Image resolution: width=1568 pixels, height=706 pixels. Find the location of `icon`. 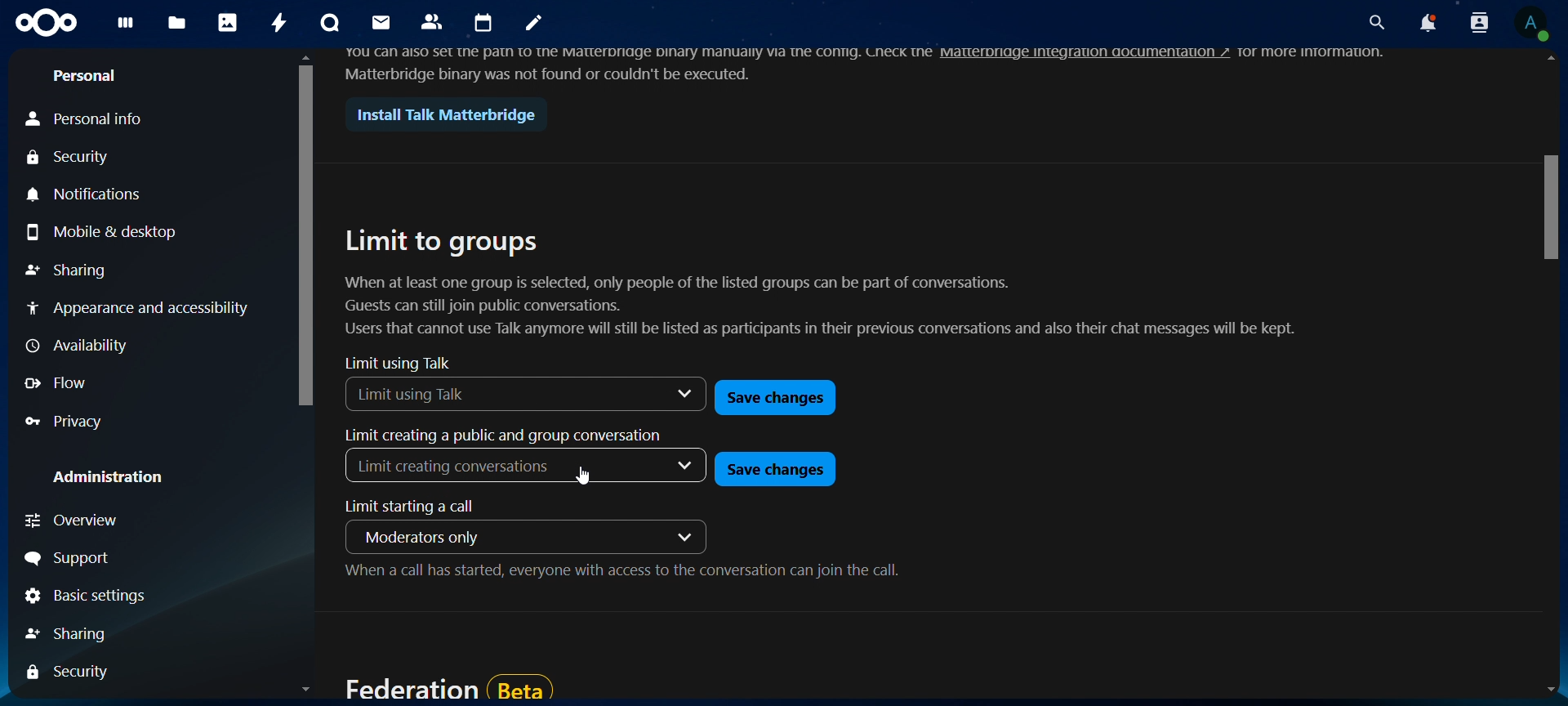

icon is located at coordinates (47, 24).